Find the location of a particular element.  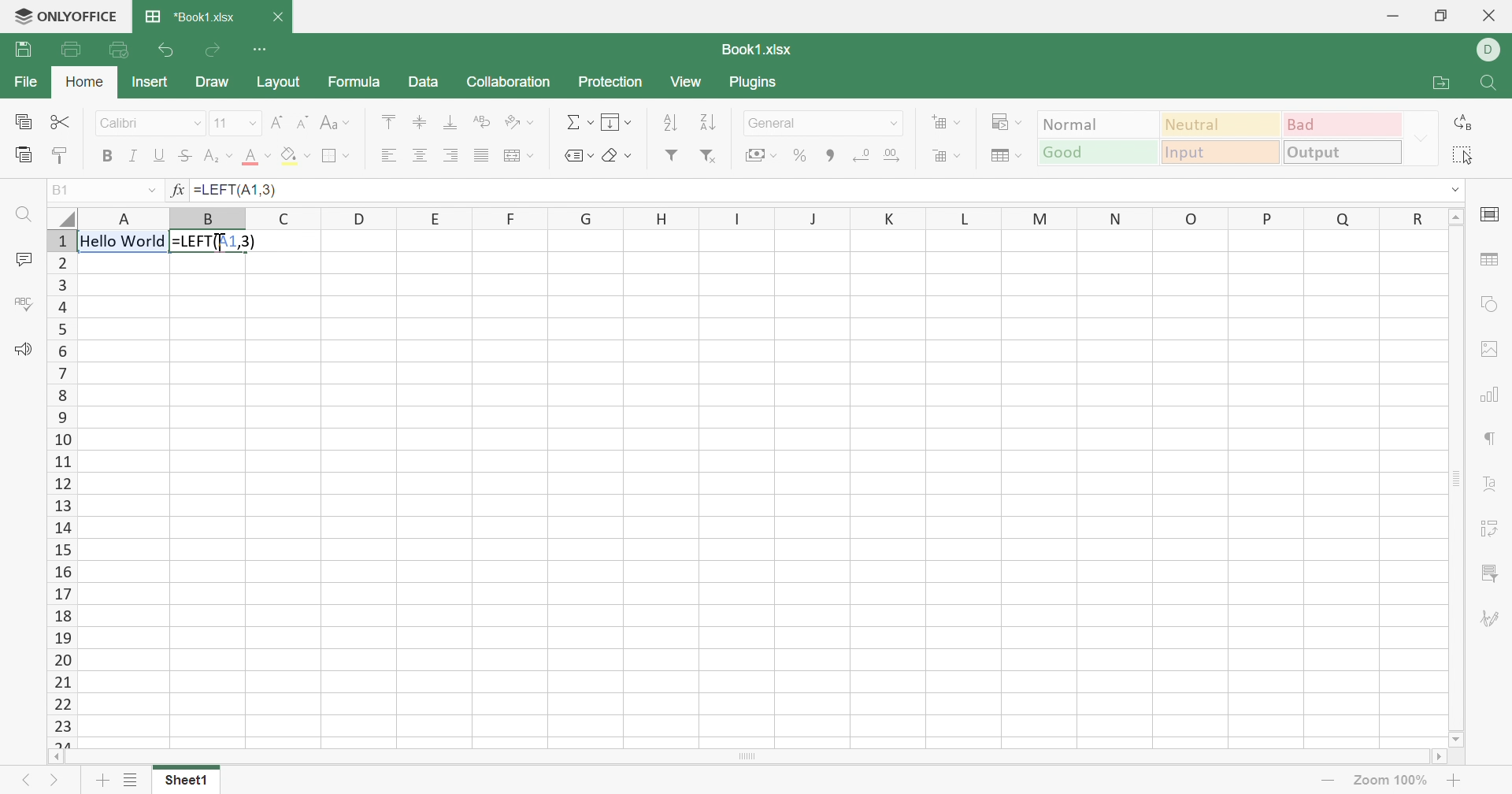

Borders is located at coordinates (336, 158).